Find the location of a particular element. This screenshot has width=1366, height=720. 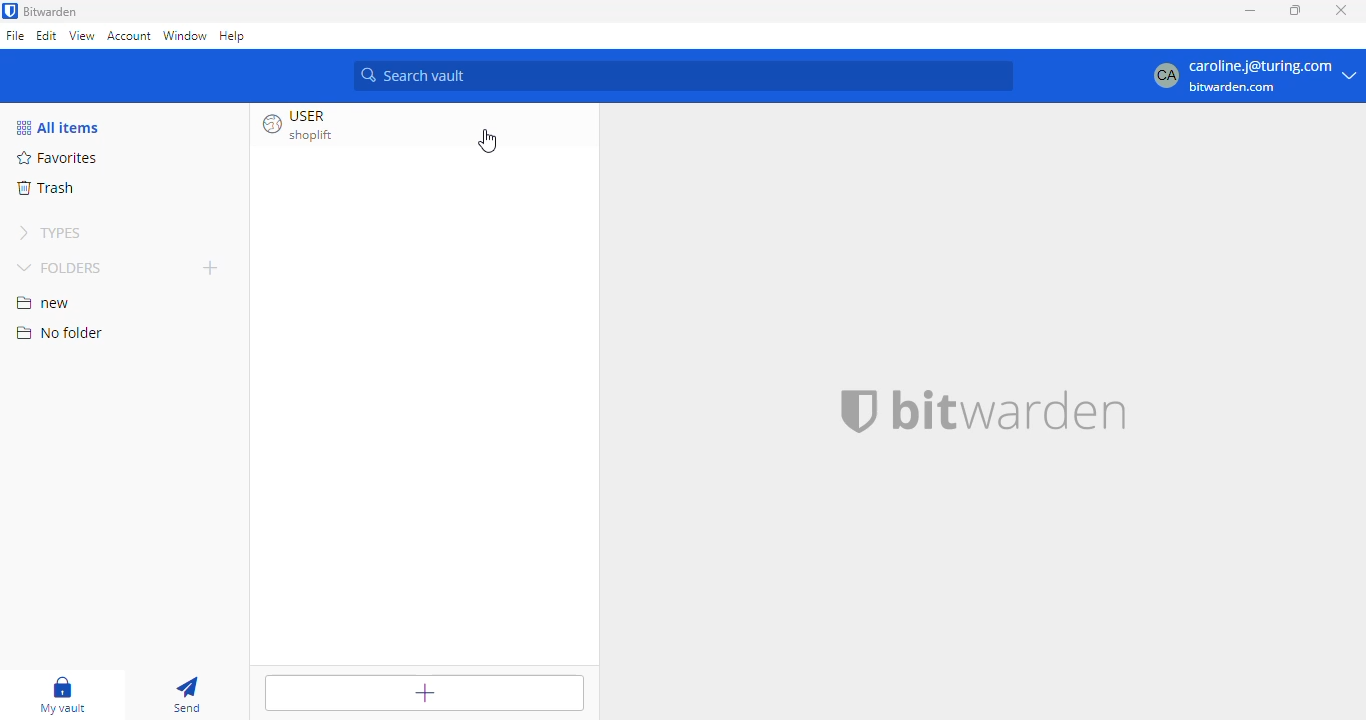

trash is located at coordinates (46, 187).